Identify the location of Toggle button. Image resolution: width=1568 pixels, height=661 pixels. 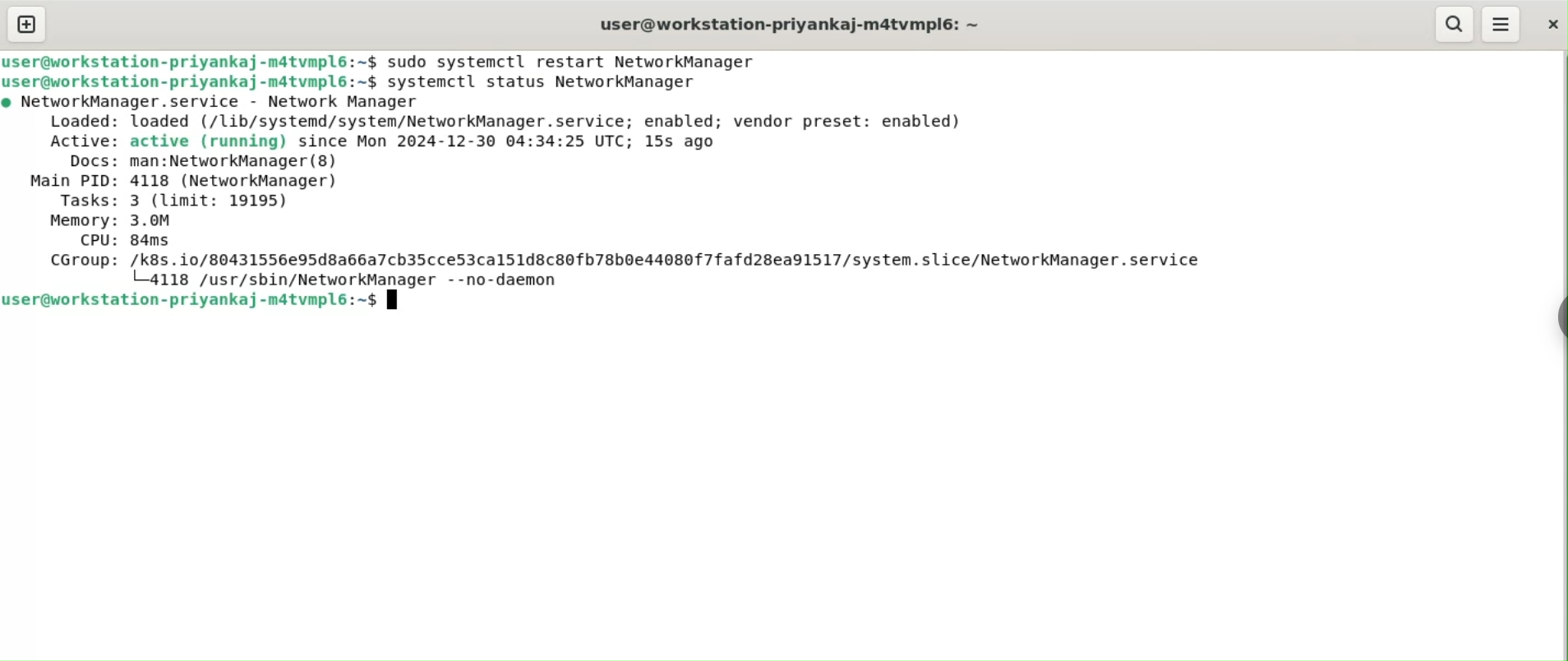
(1554, 321).